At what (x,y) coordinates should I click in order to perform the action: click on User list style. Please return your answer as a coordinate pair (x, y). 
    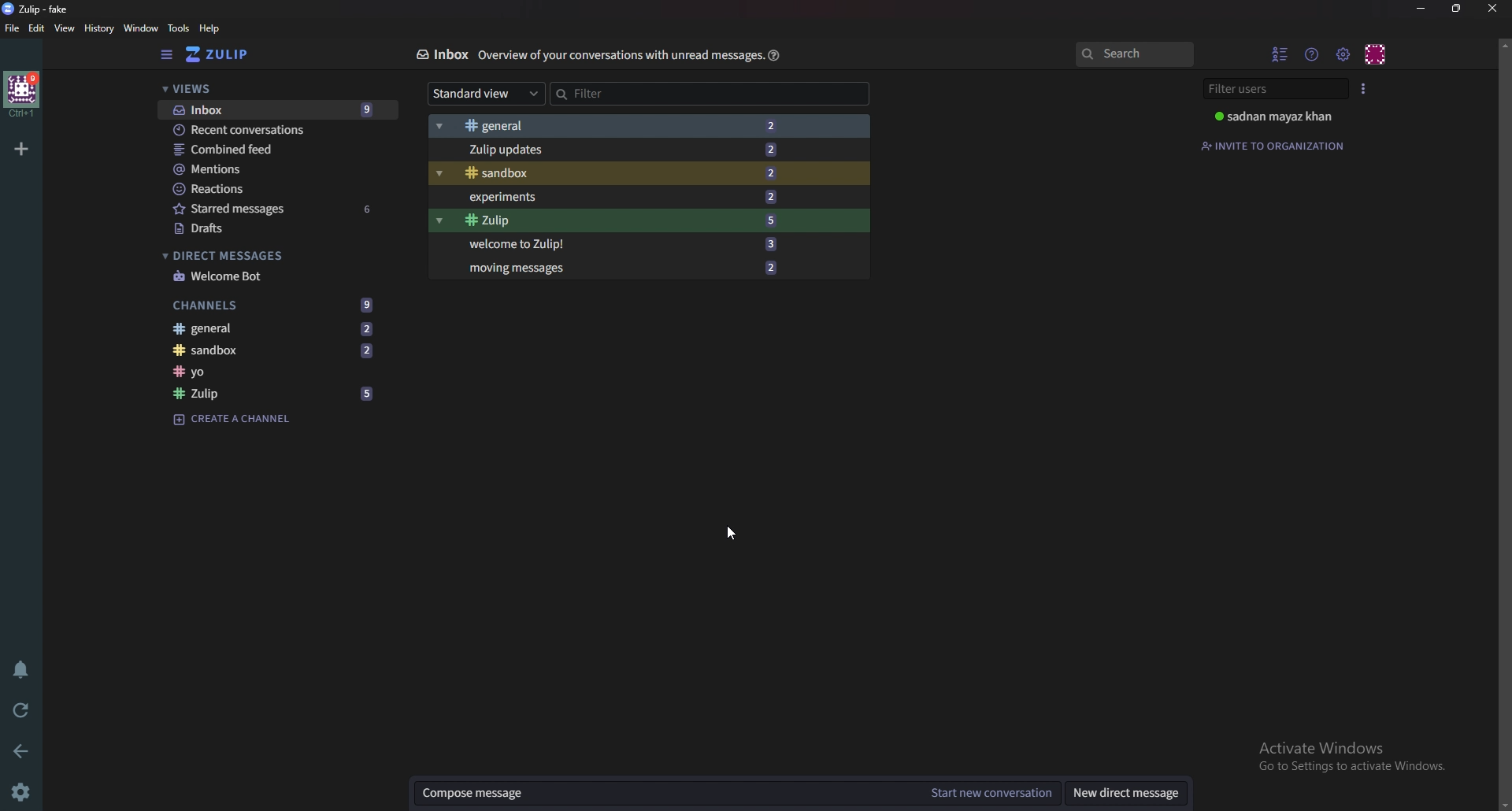
    Looking at the image, I should click on (1362, 89).